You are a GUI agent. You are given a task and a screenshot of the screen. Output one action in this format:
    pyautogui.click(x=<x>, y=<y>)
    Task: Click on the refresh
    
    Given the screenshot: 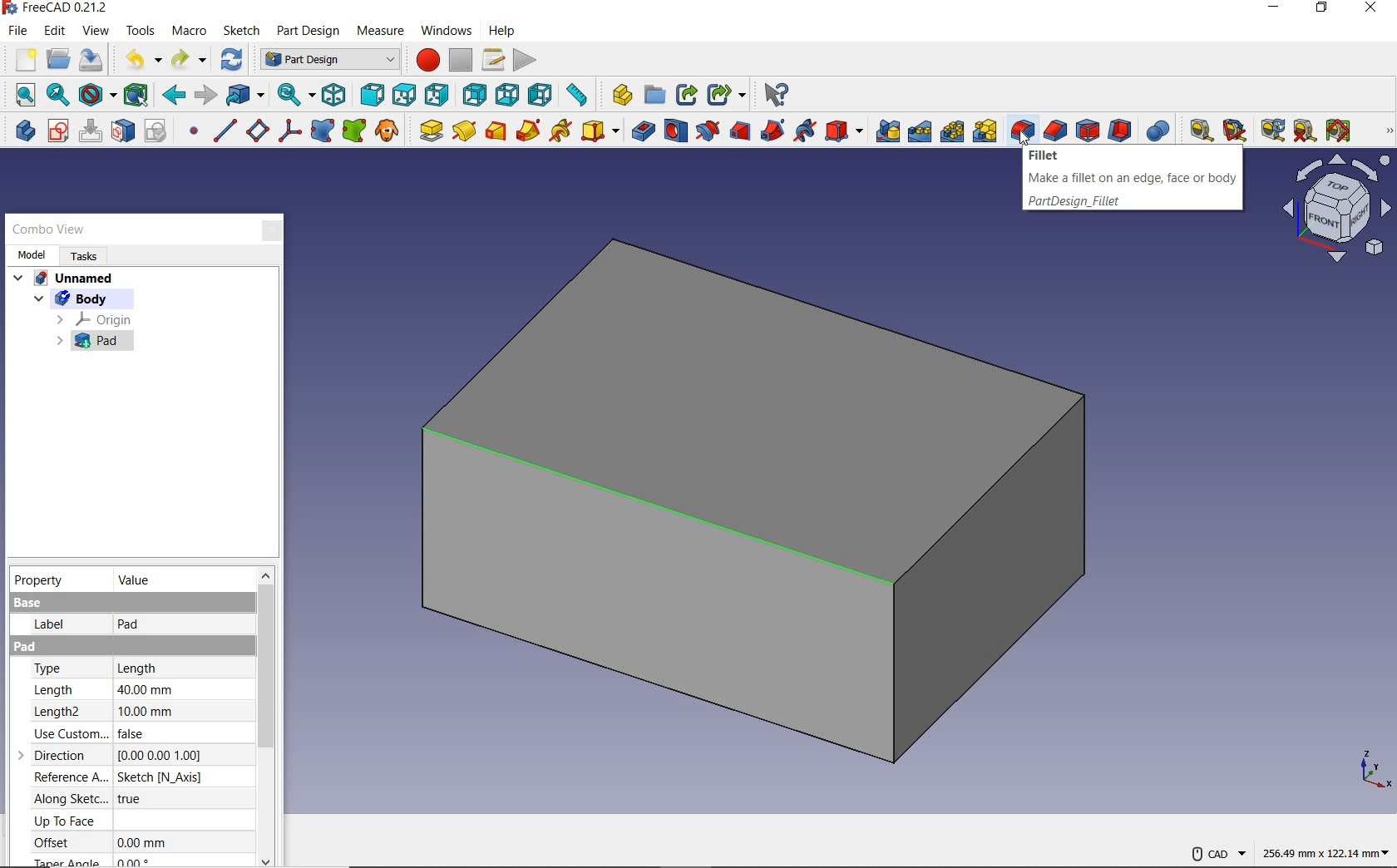 What is the action you would take?
    pyautogui.click(x=1269, y=131)
    